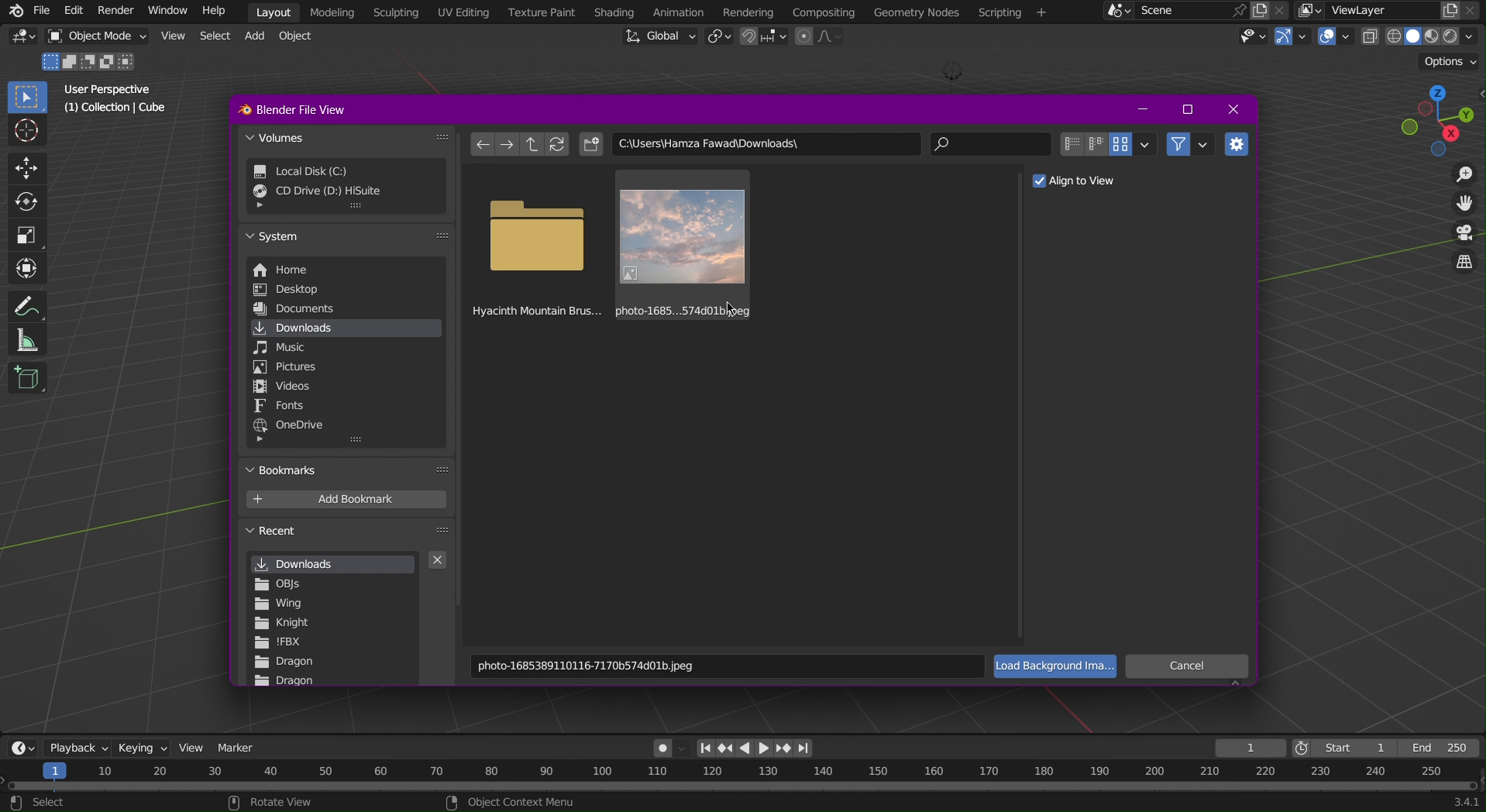  What do you see at coordinates (286, 663) in the screenshot?
I see `Dragon` at bounding box center [286, 663].